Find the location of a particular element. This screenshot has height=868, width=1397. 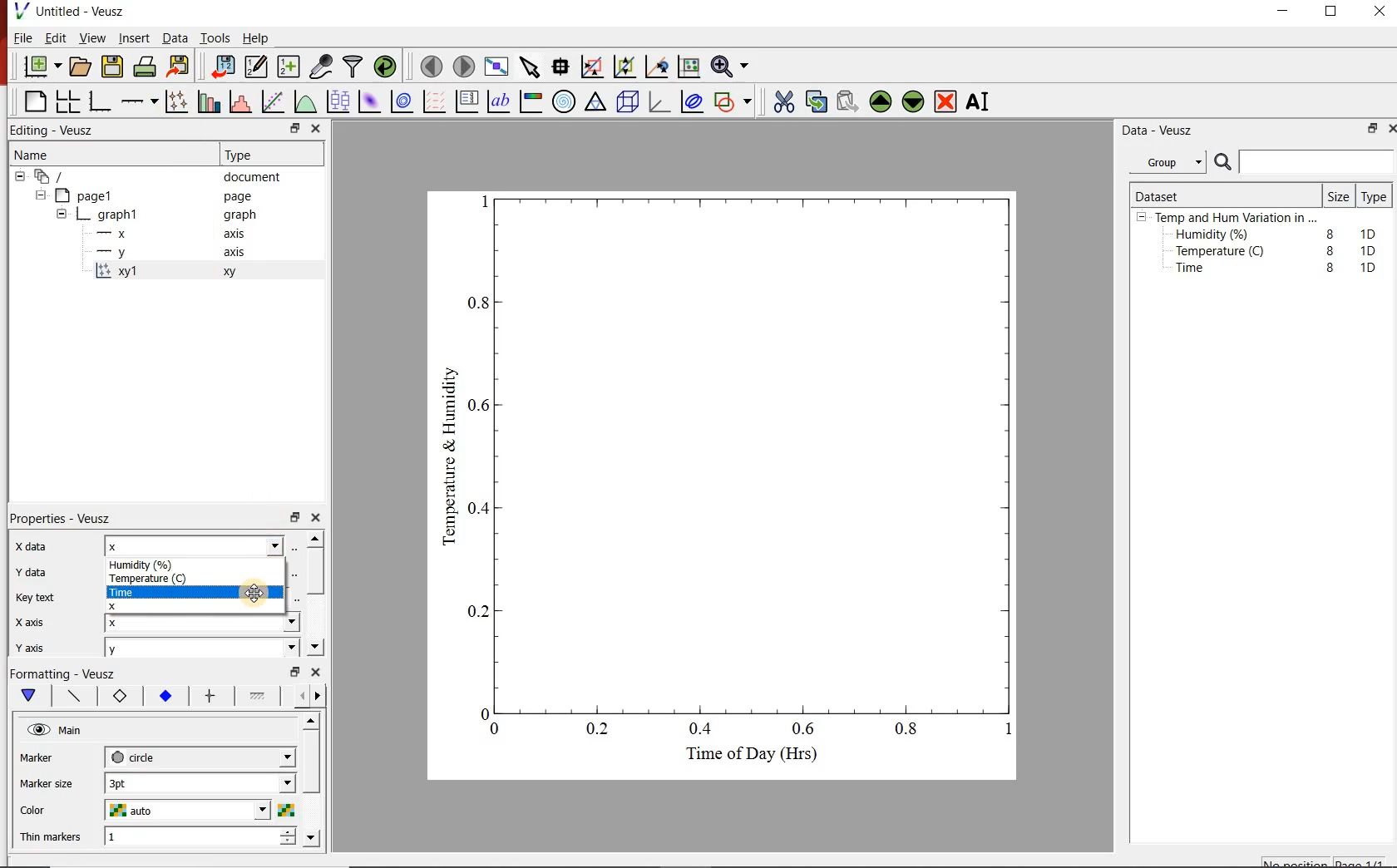

circle is located at coordinates (136, 757).